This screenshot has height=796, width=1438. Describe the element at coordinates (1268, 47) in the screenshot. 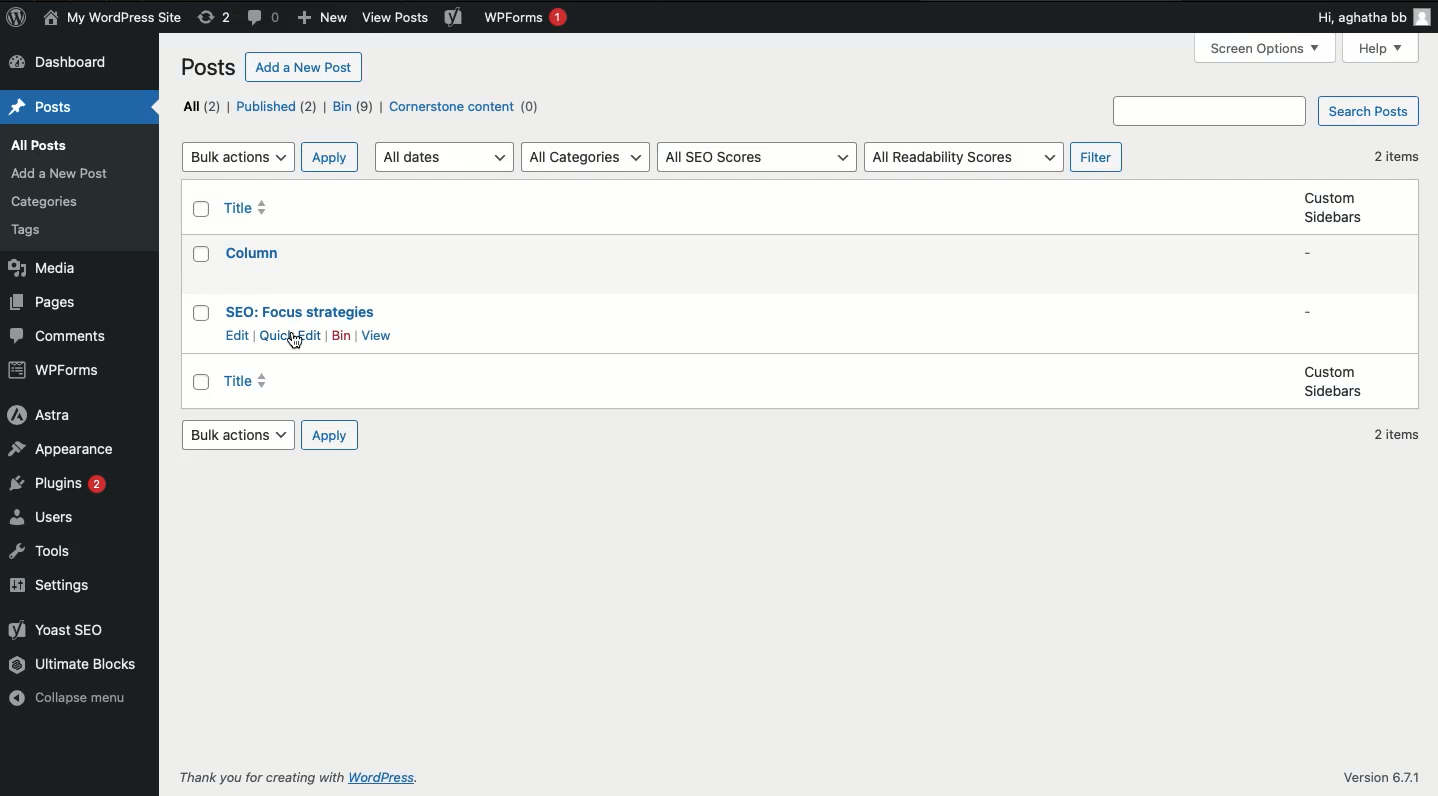

I see `Screen options` at that location.